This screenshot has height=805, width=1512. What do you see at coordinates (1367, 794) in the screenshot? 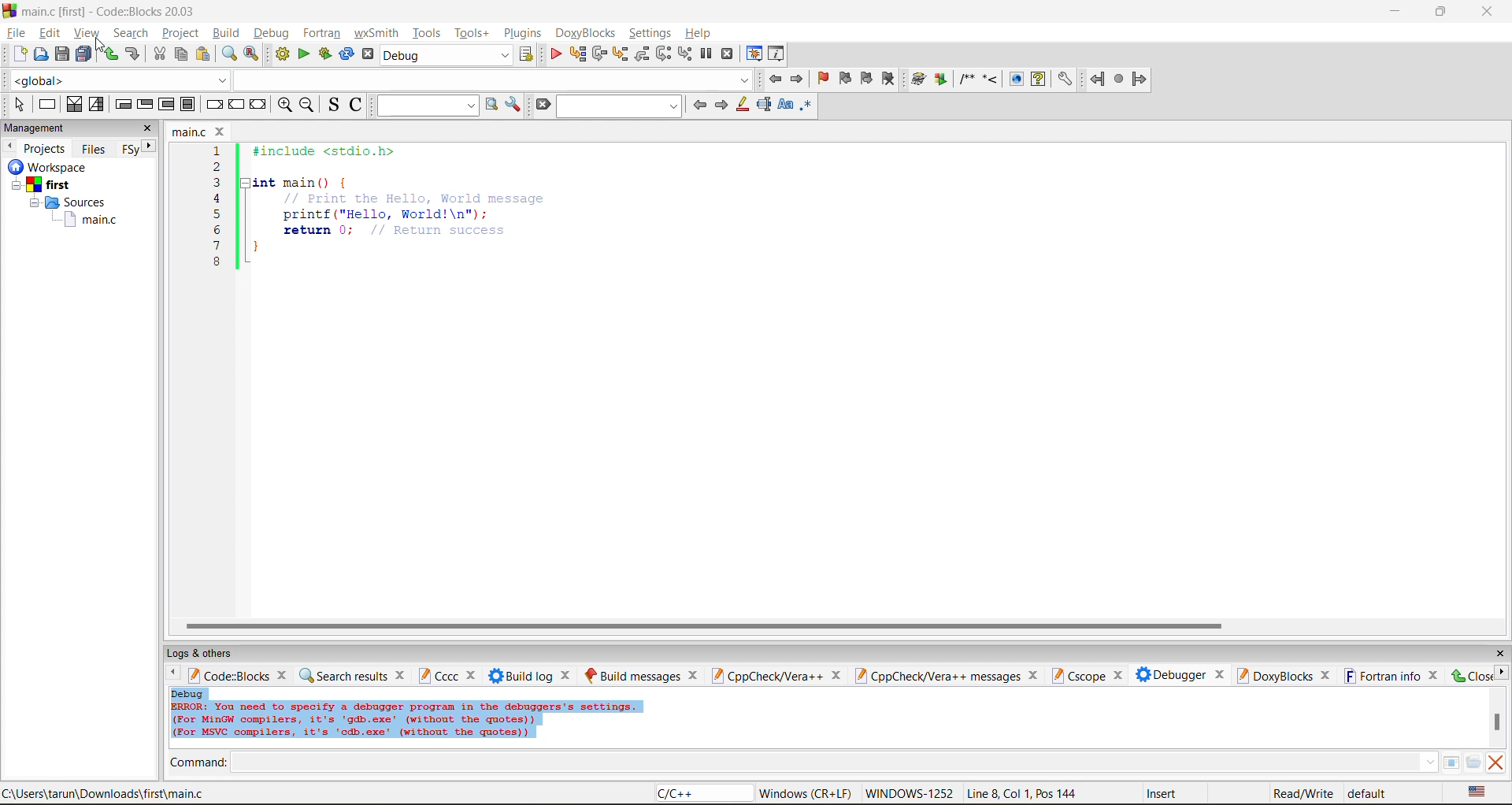
I see `default` at bounding box center [1367, 794].